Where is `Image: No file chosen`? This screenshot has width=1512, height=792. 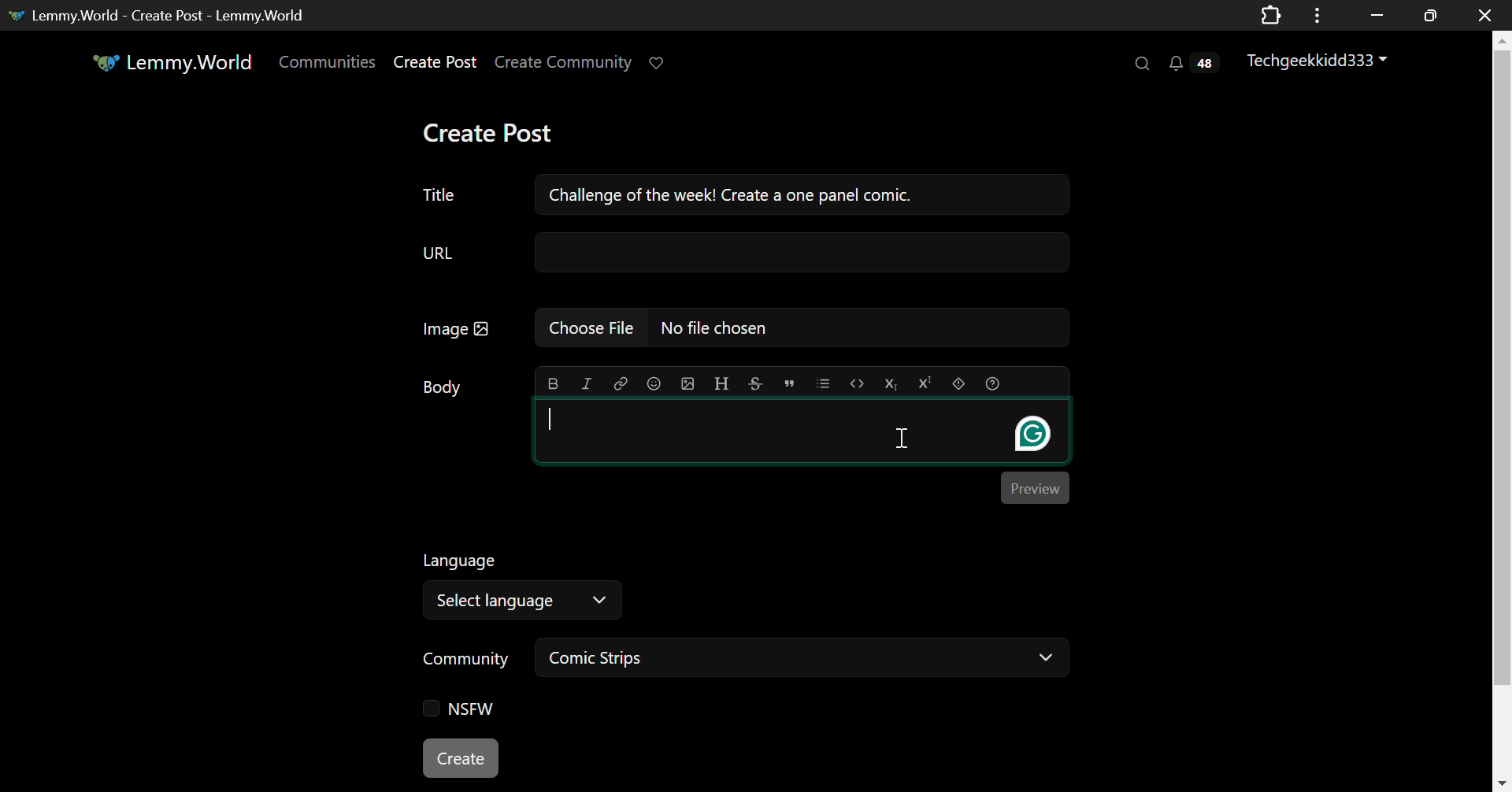 Image: No file chosen is located at coordinates (746, 330).